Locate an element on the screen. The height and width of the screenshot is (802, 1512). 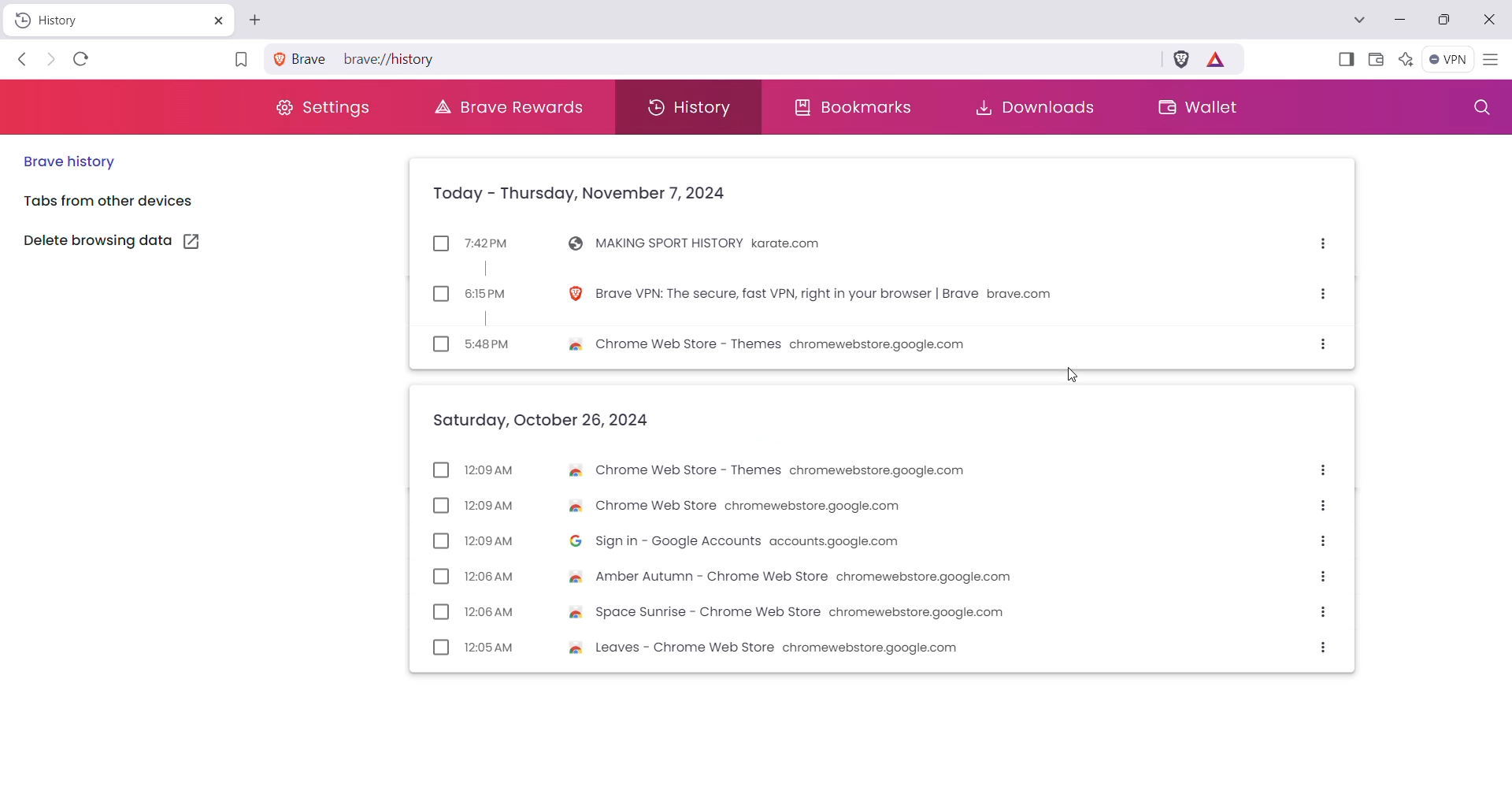
More options is located at coordinates (1322, 576).